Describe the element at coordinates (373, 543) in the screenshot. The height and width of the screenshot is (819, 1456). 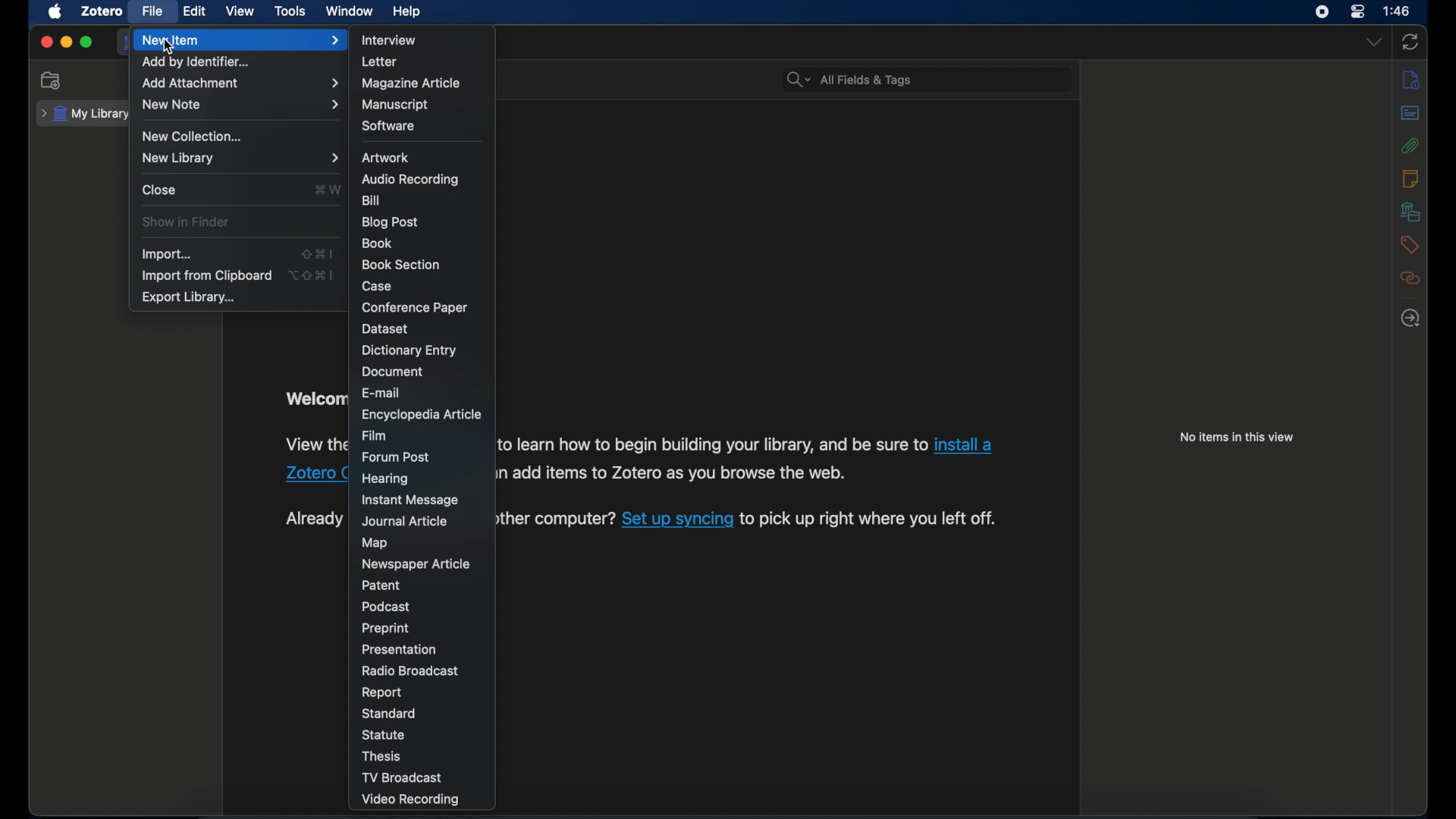
I see `map` at that location.